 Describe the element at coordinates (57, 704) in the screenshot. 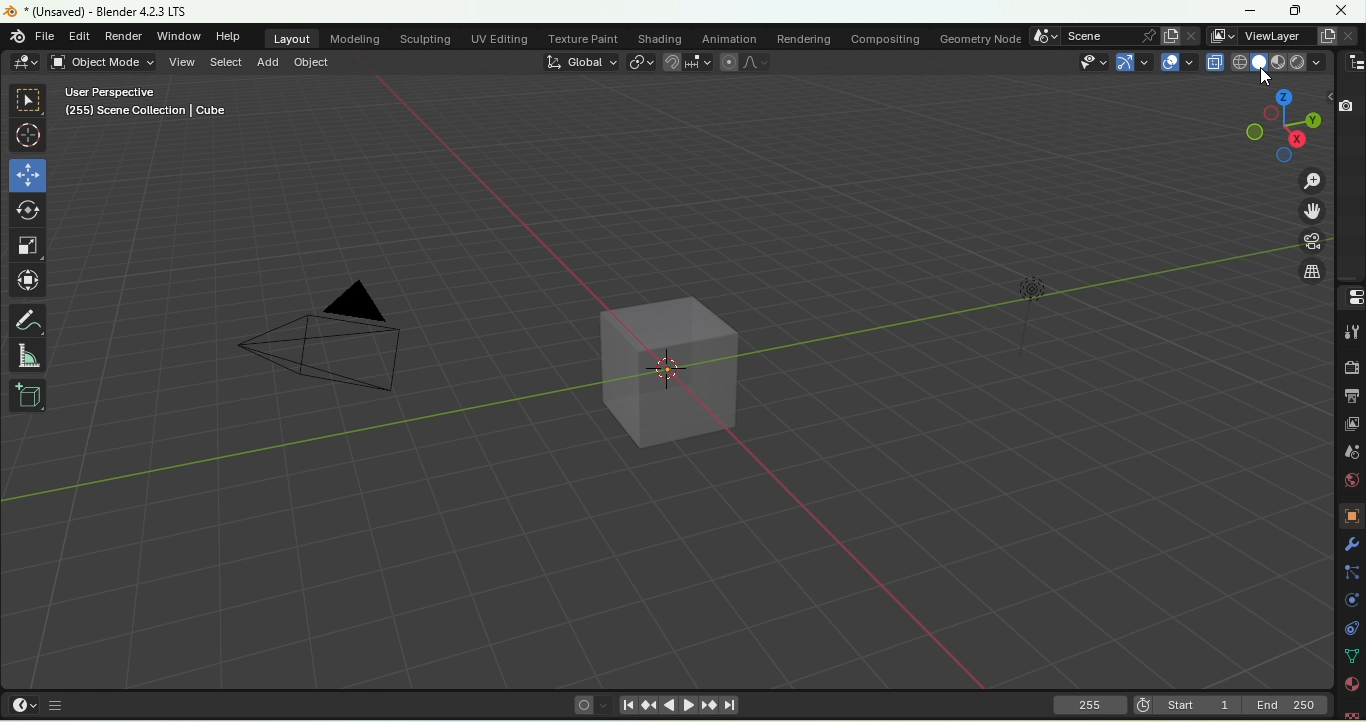

I see `GUI show/hide` at that location.